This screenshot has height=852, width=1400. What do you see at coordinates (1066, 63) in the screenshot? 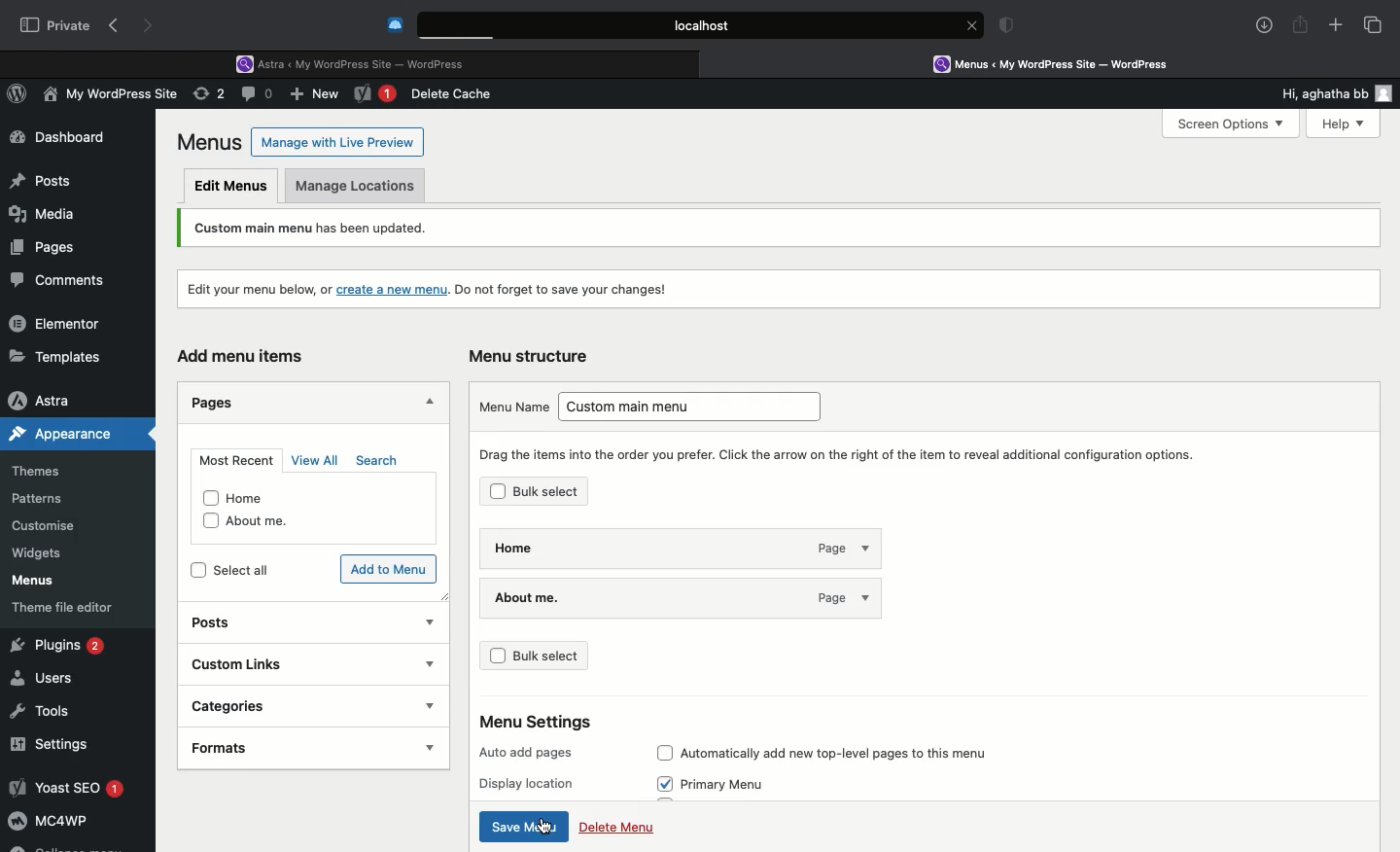
I see `Menus < My WordPress Site - WordPress` at bounding box center [1066, 63].